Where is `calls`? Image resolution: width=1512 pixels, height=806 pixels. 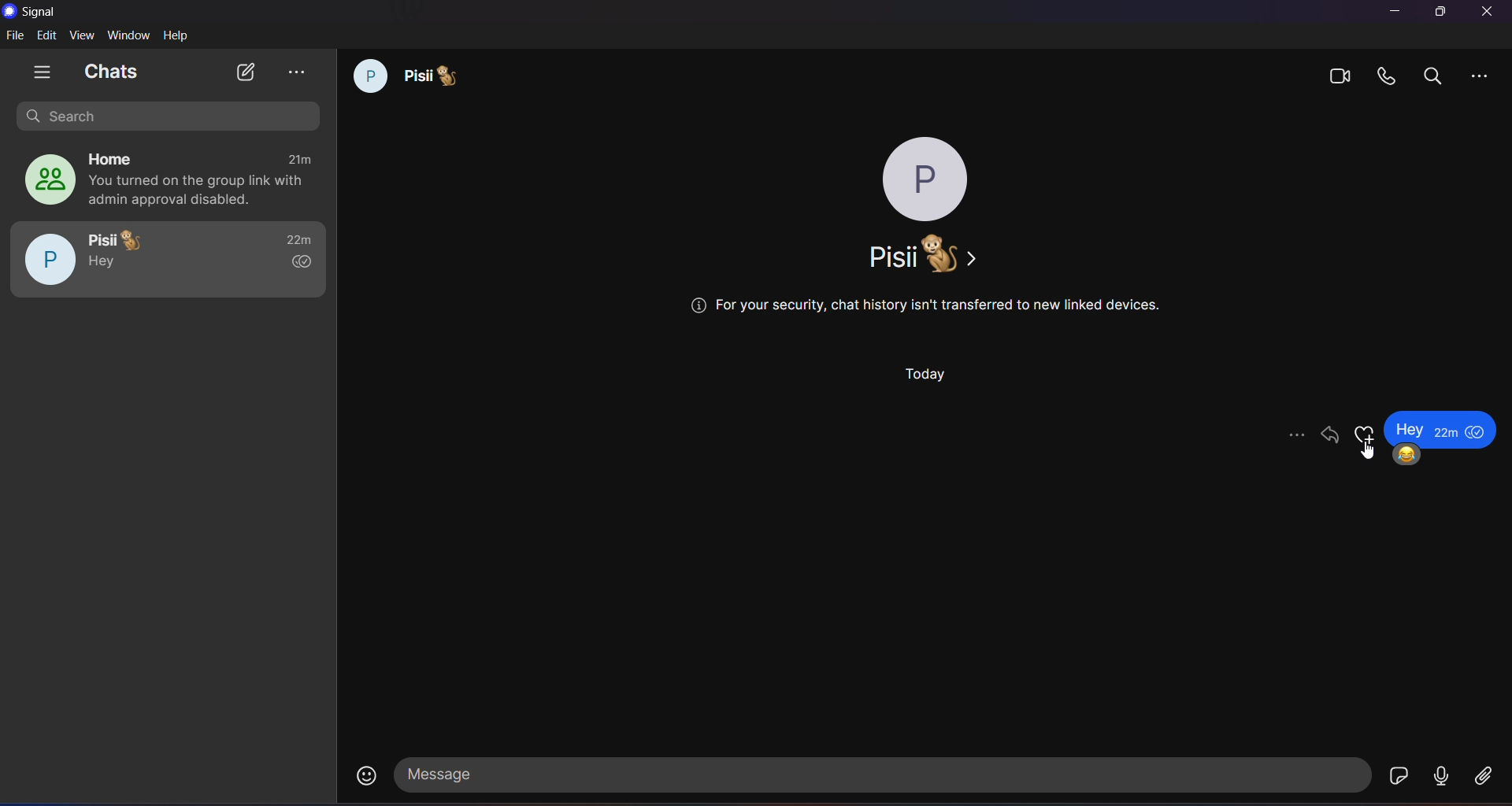 calls is located at coordinates (1388, 76).